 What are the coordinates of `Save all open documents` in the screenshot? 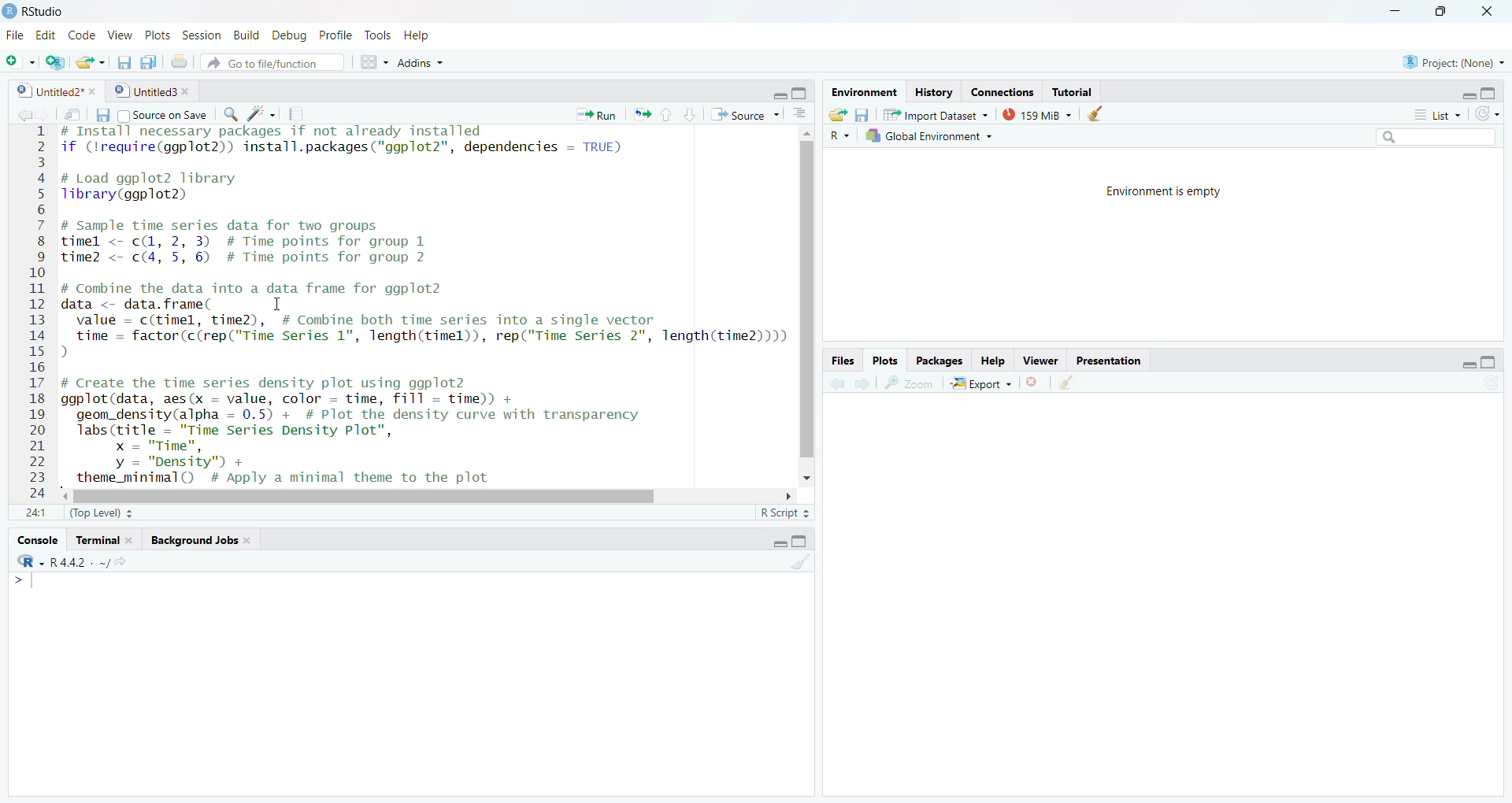 It's located at (148, 63).